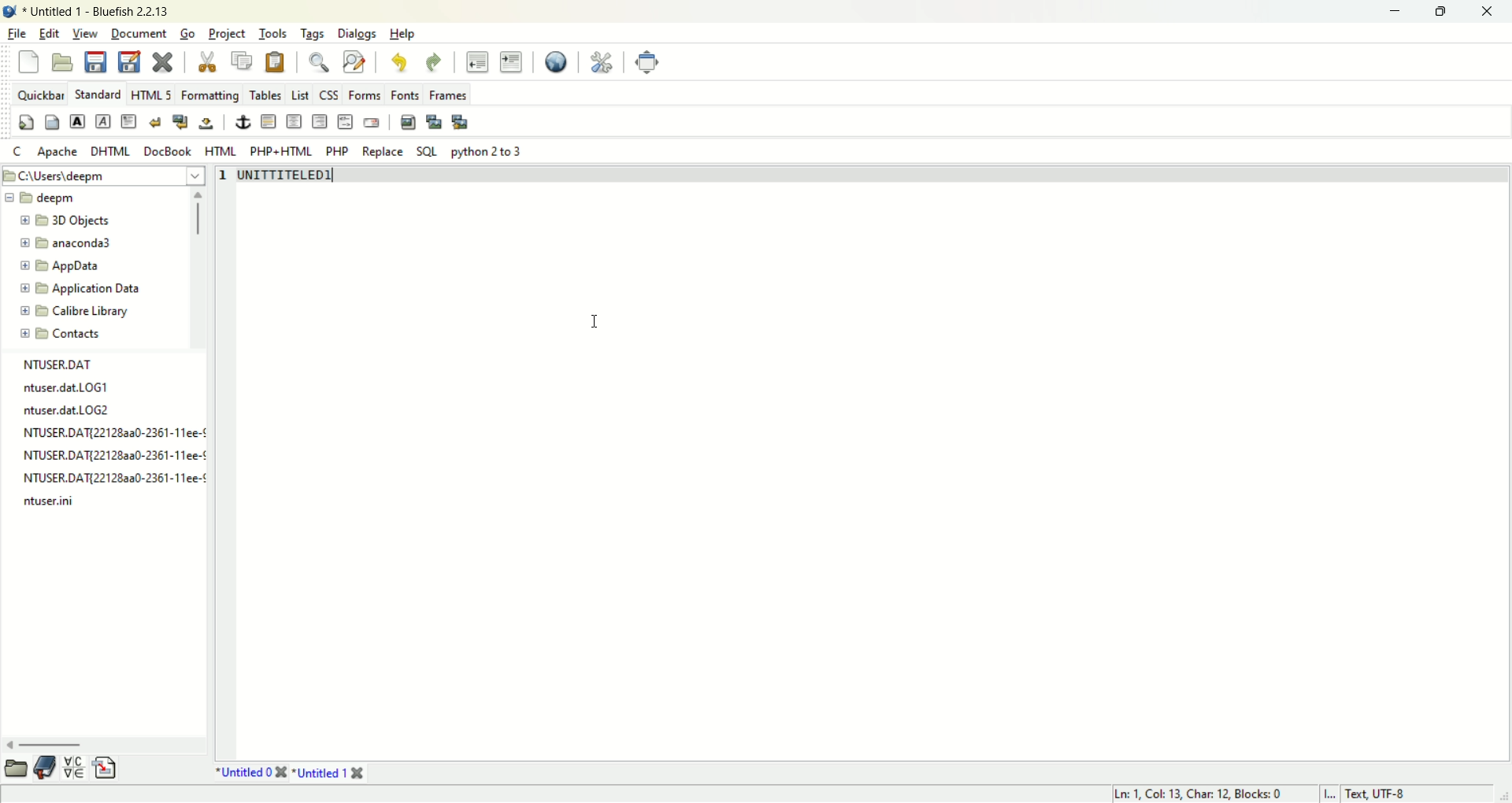  What do you see at coordinates (61, 244) in the screenshot?
I see `anaconda` at bounding box center [61, 244].